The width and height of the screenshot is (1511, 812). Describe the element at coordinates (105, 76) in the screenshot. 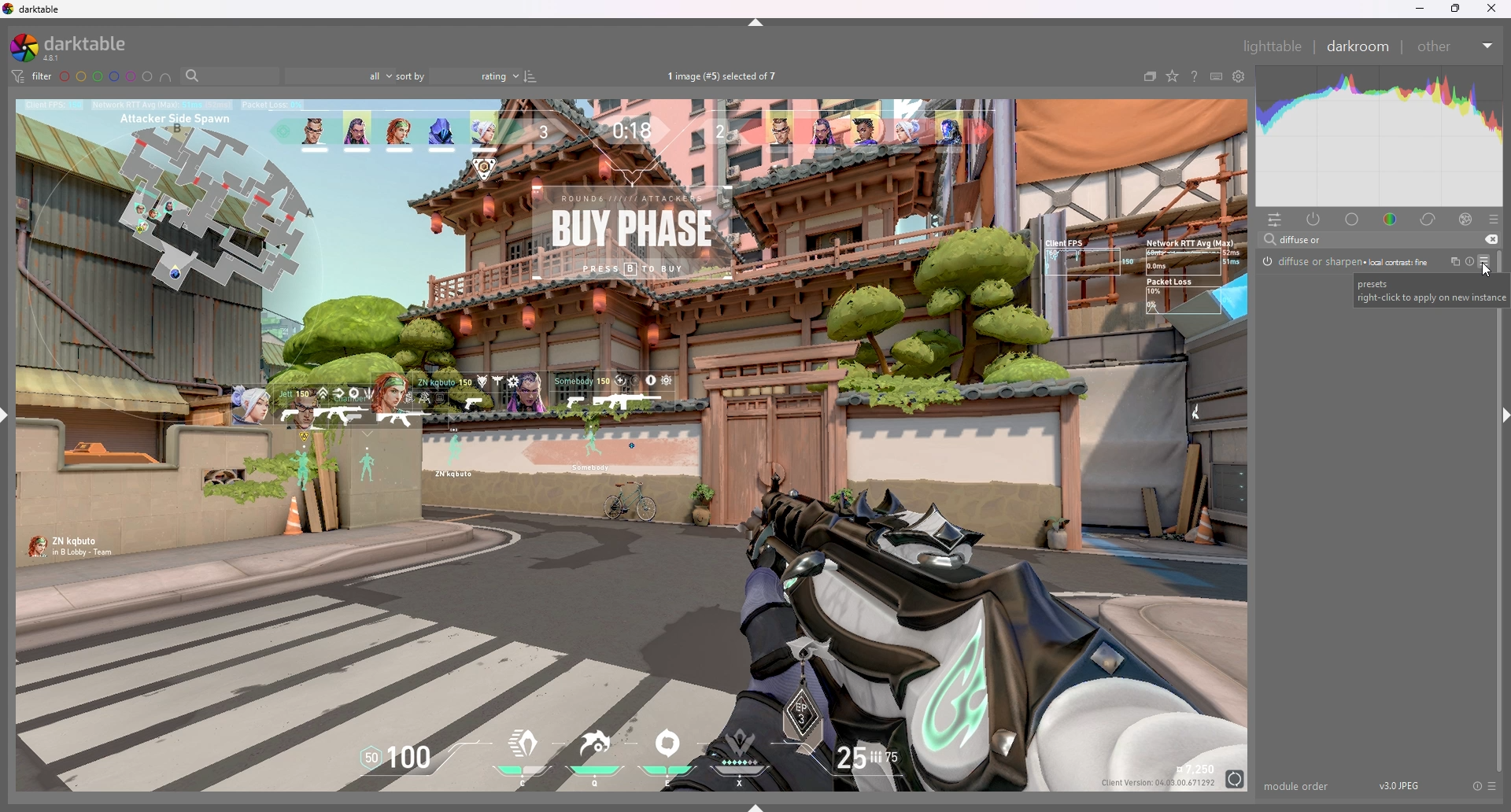

I see `color label` at that location.